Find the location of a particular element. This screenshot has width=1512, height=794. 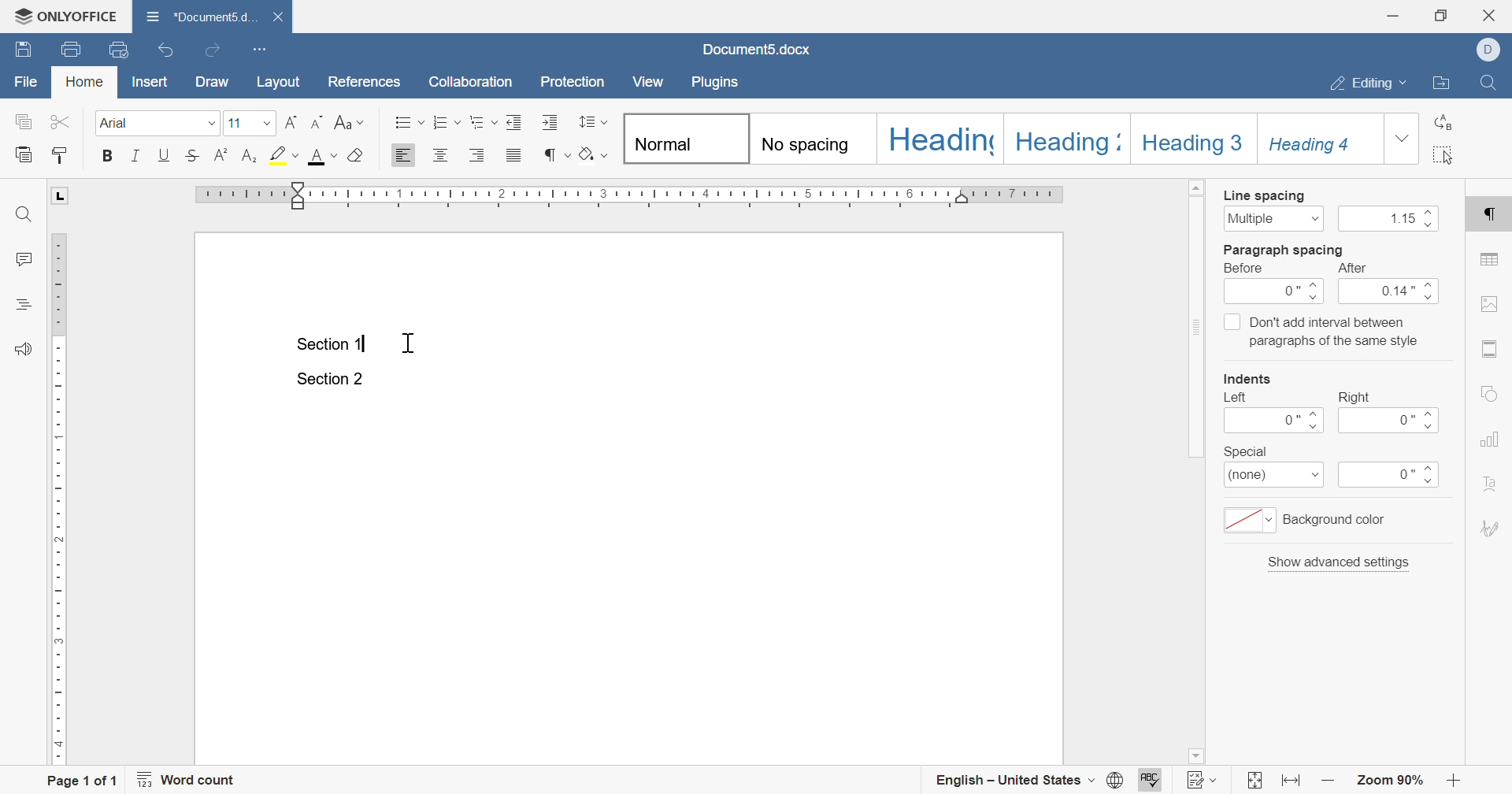

0 is located at coordinates (1273, 421).